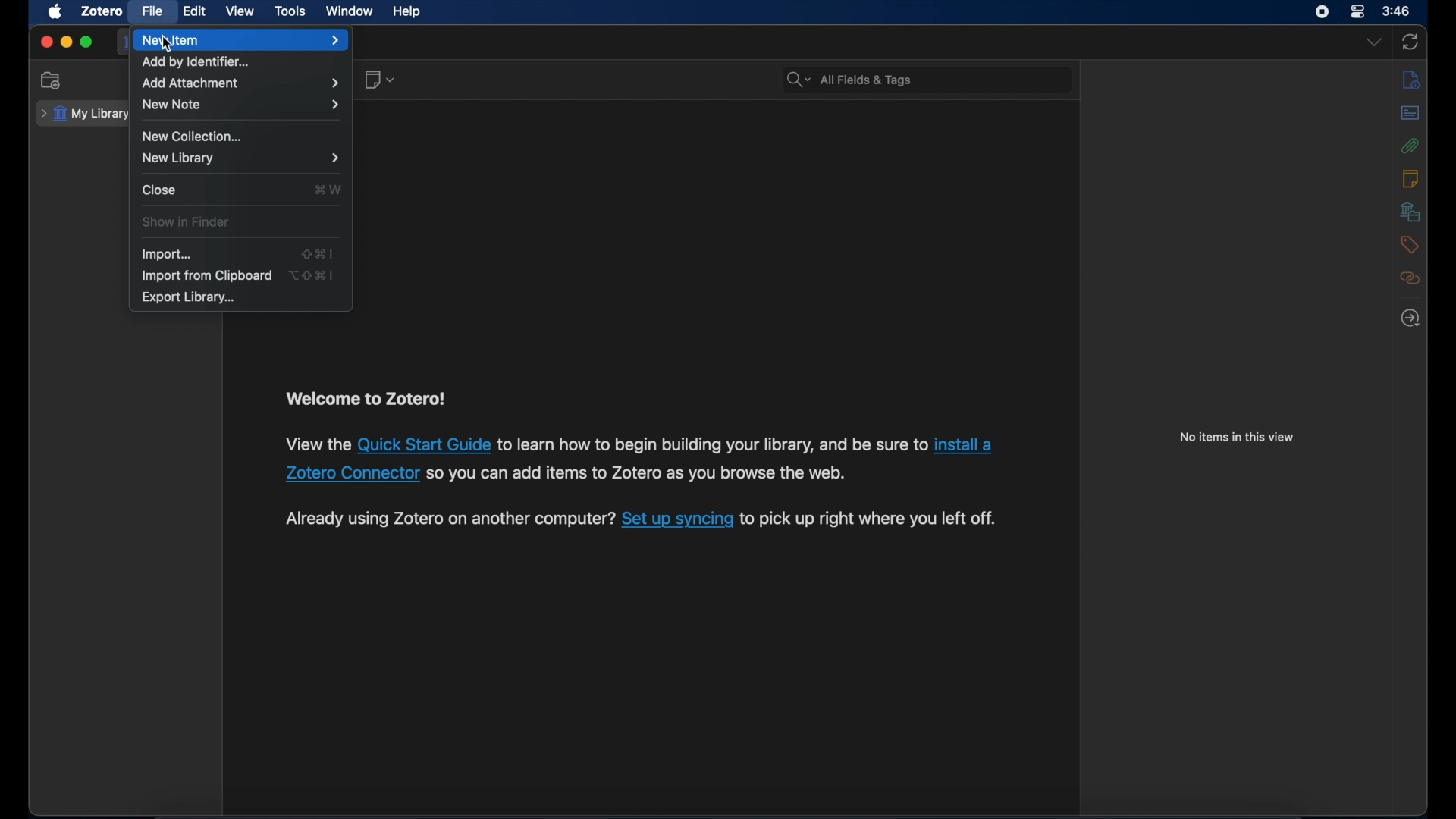  What do you see at coordinates (243, 83) in the screenshot?
I see `add attachment` at bounding box center [243, 83].